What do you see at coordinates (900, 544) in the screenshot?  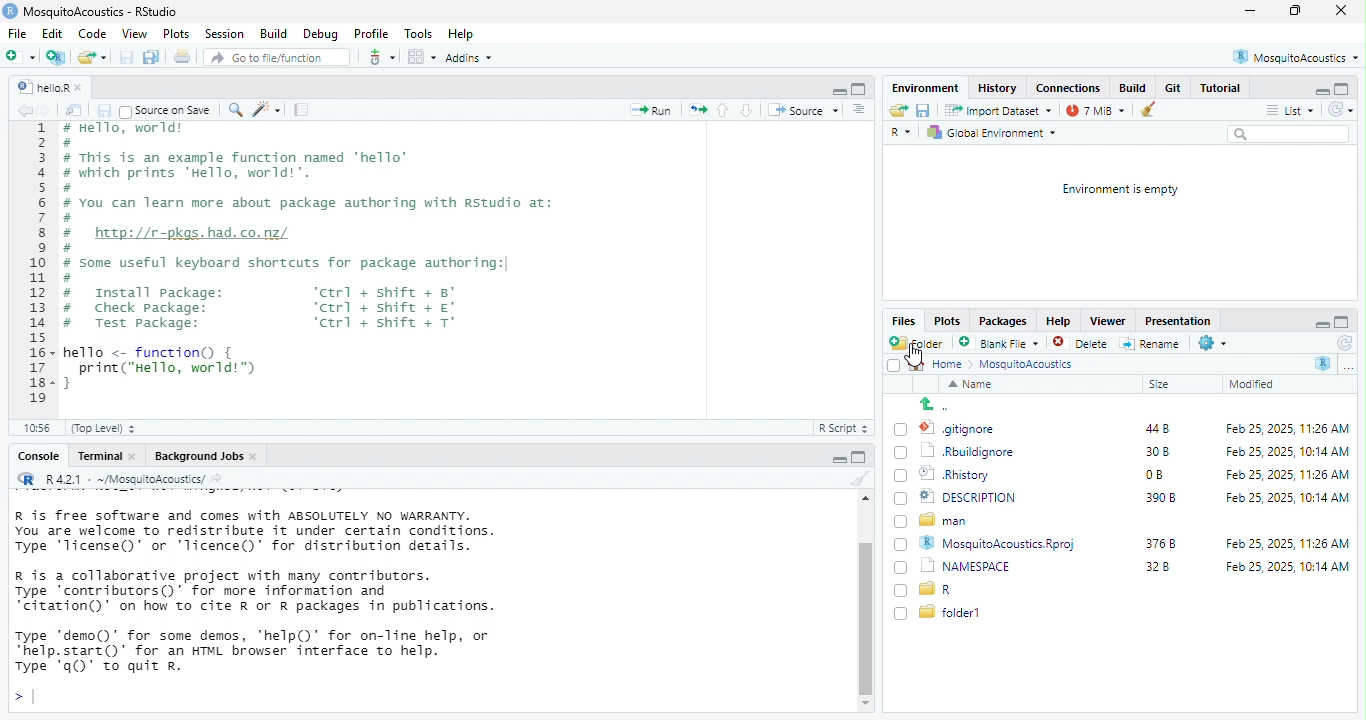 I see `checkbox` at bounding box center [900, 544].